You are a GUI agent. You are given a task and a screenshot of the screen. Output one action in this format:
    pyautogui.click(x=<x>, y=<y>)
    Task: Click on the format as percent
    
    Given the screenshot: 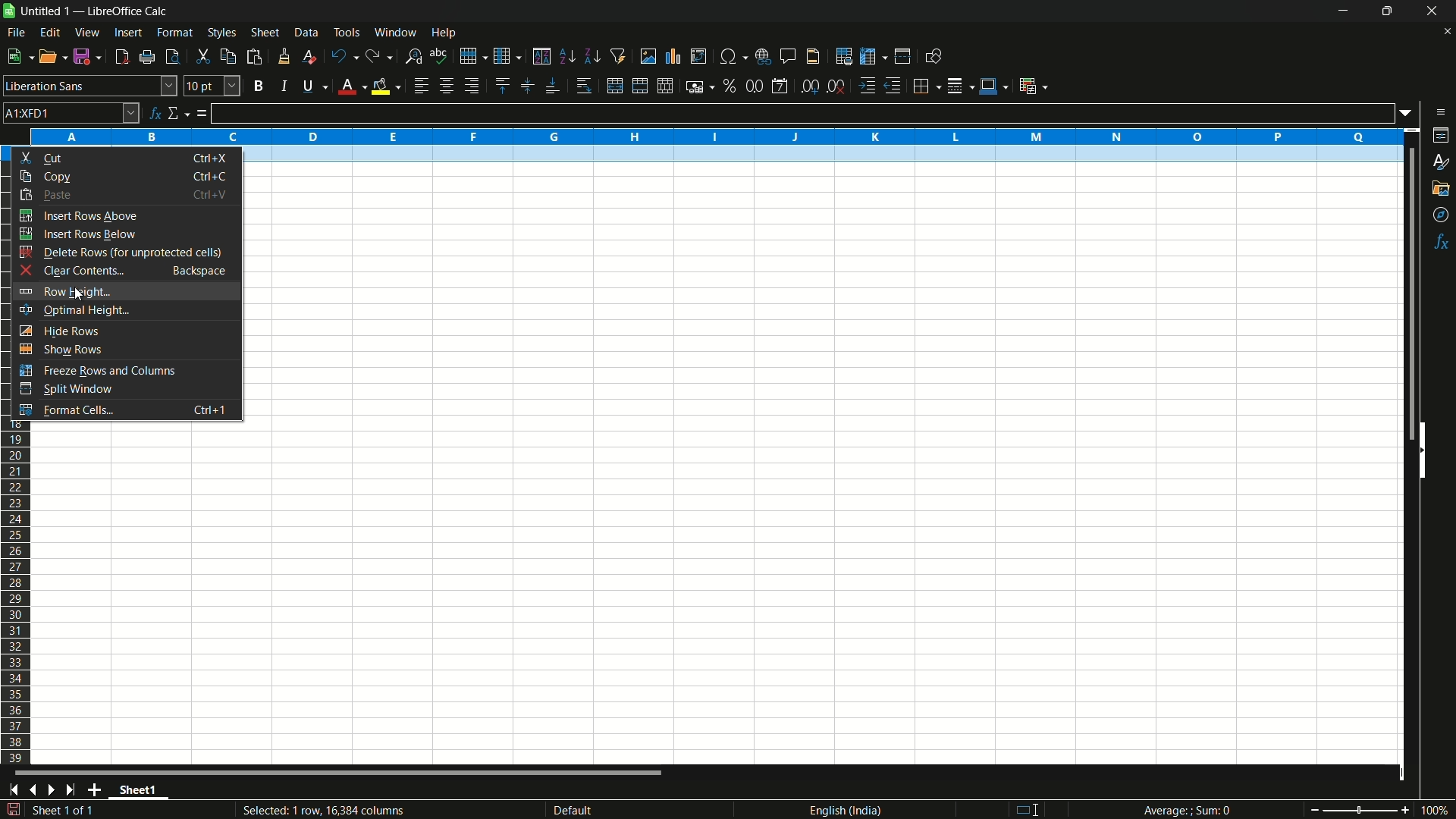 What is the action you would take?
    pyautogui.click(x=730, y=85)
    